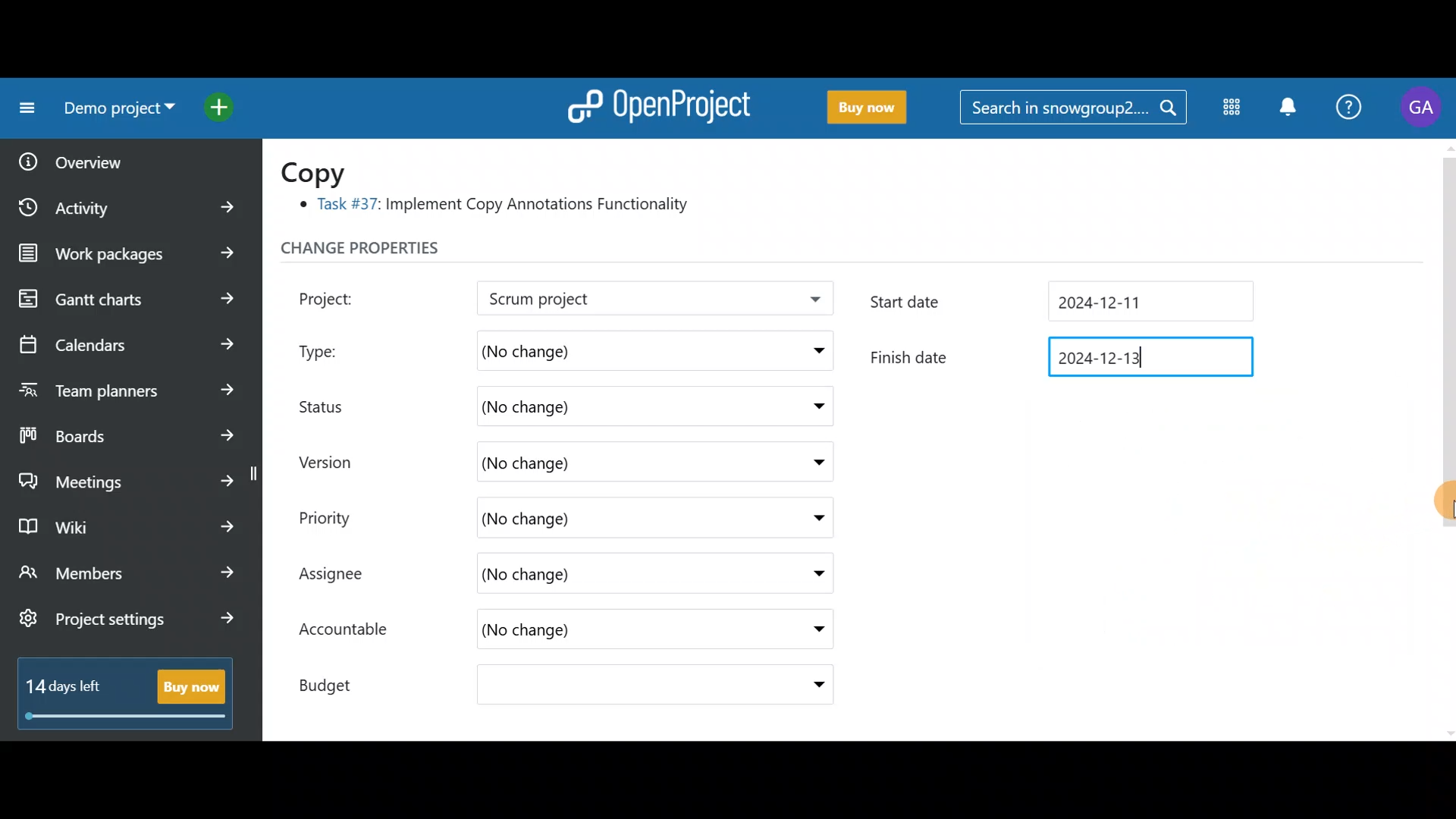 The width and height of the screenshot is (1456, 819). I want to click on Wiki, so click(124, 522).